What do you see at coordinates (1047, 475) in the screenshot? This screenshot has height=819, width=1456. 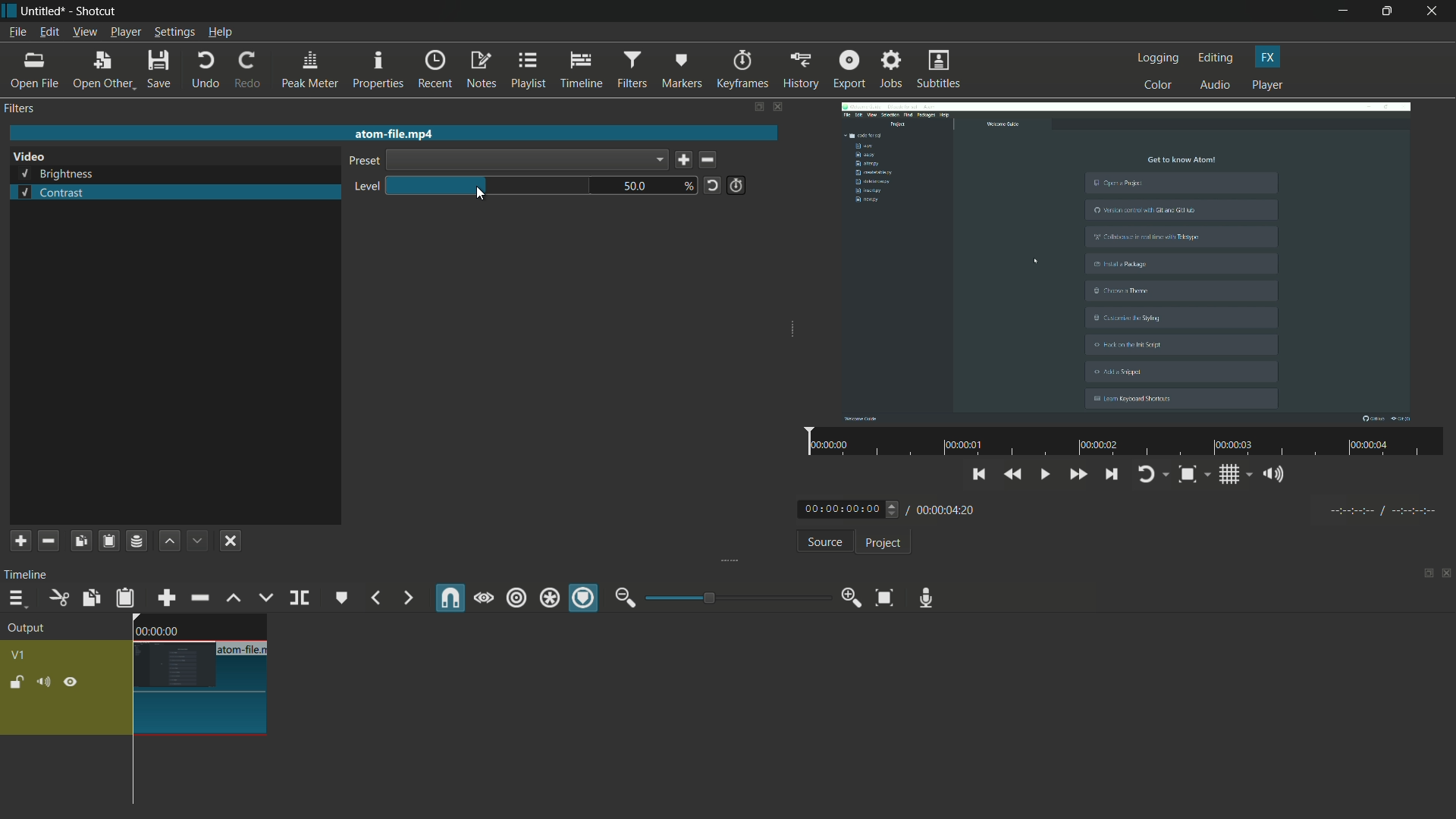 I see `toggle play/pause` at bounding box center [1047, 475].